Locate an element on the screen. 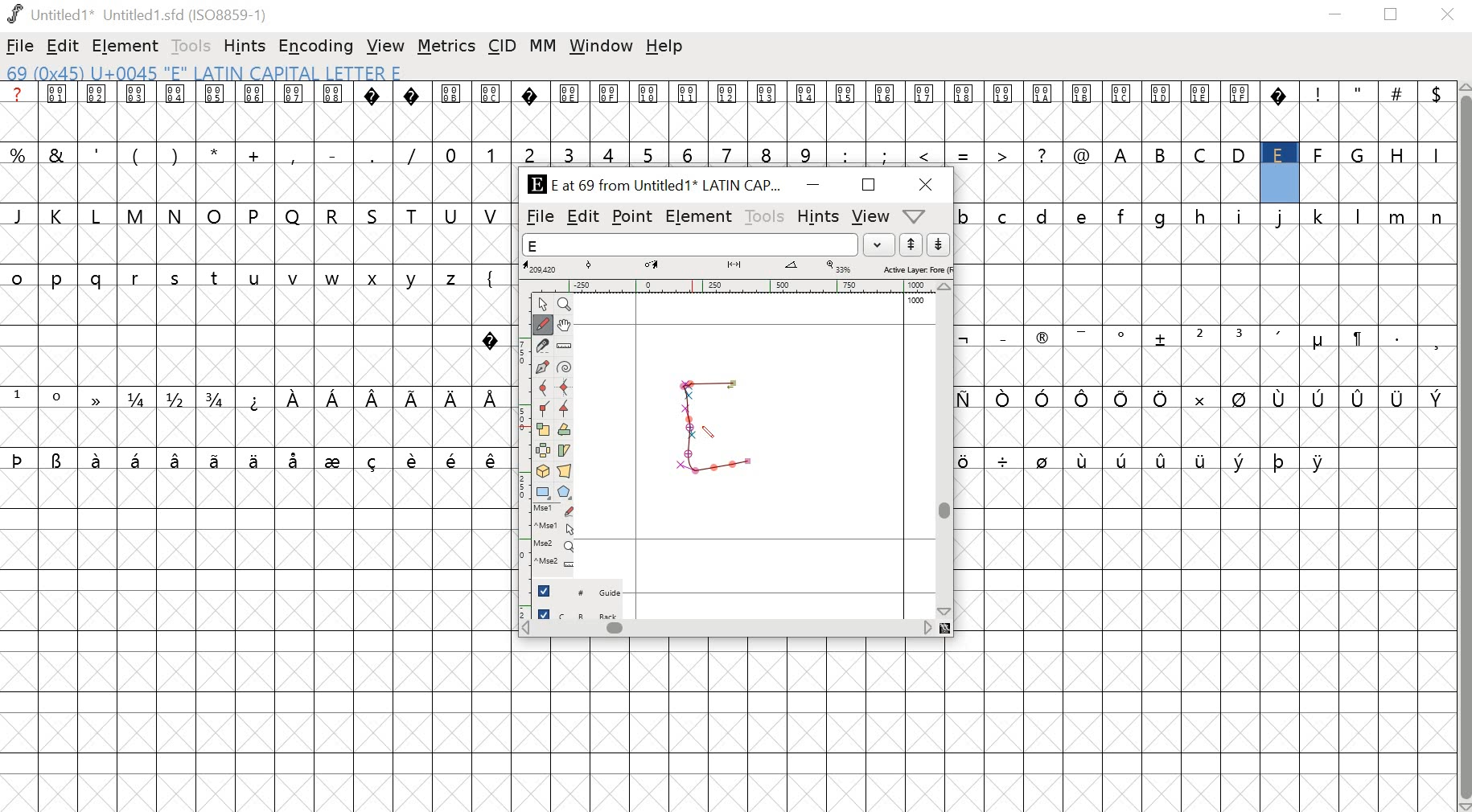  minimize is located at coordinates (812, 187).